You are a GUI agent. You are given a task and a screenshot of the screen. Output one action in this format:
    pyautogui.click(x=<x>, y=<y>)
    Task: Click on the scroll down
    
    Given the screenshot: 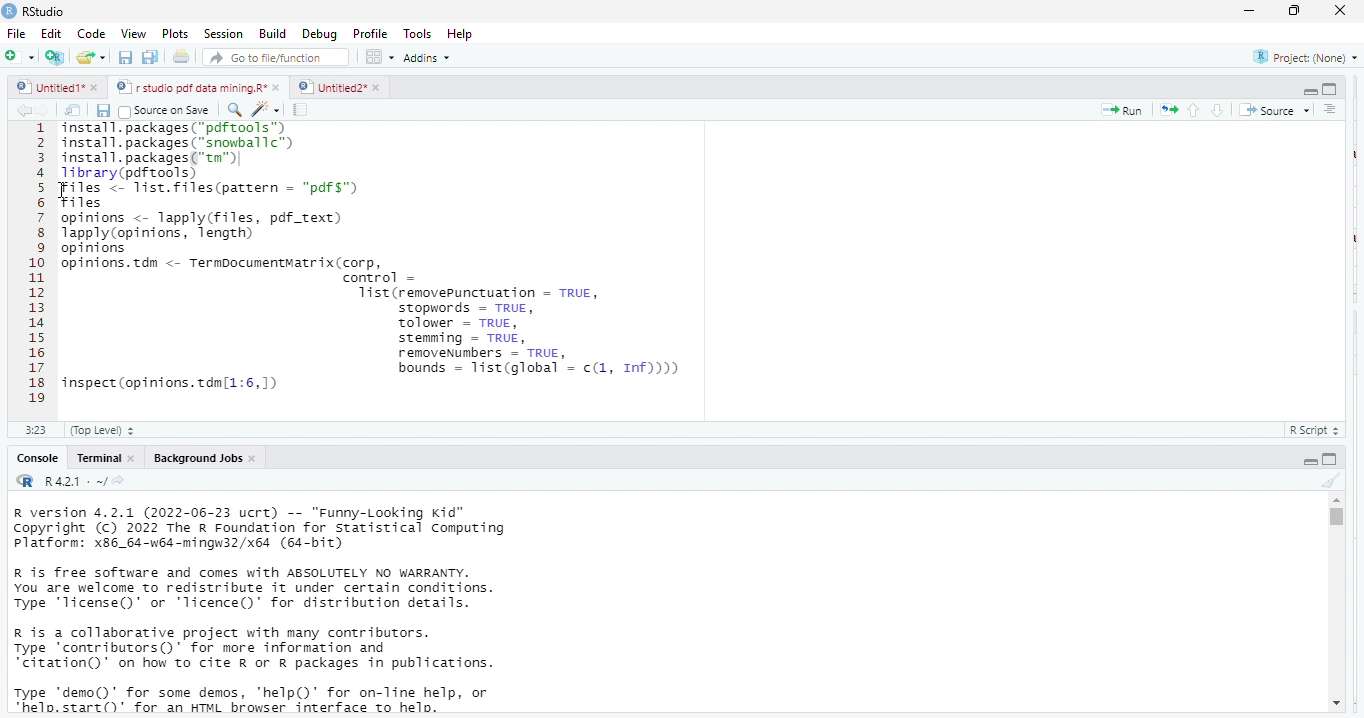 What is the action you would take?
    pyautogui.click(x=1335, y=705)
    